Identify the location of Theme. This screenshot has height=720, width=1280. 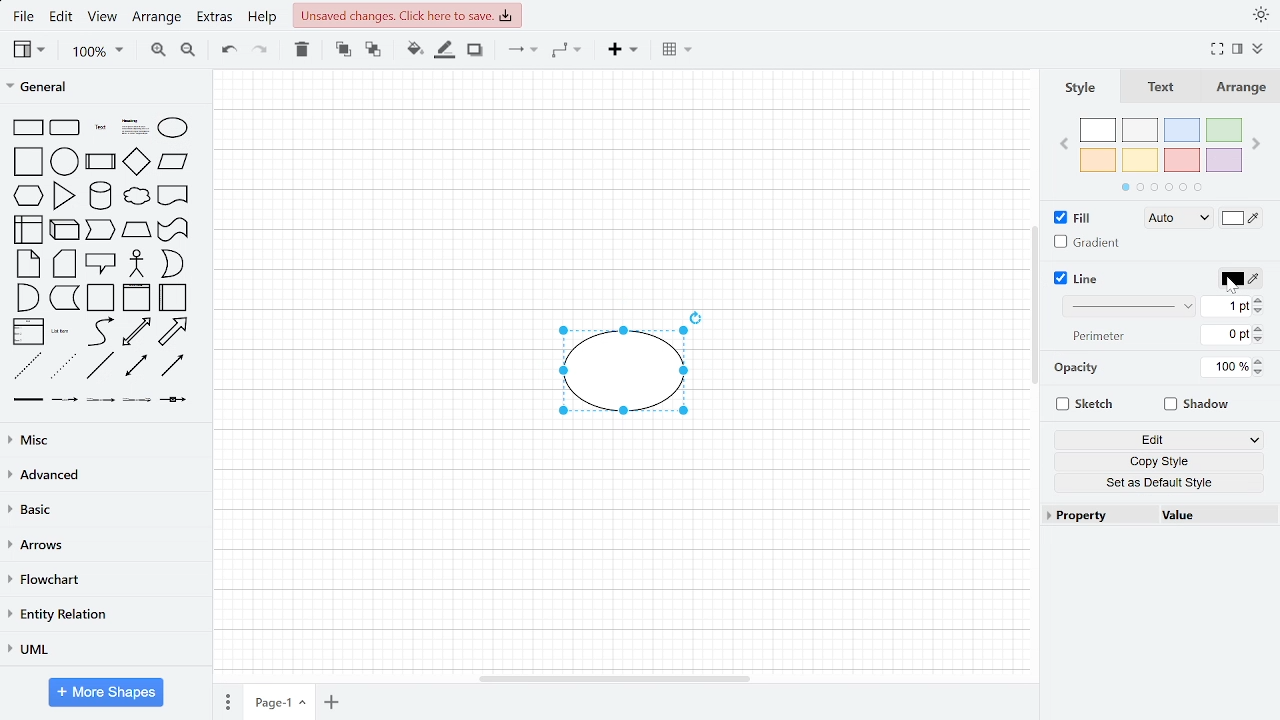
(1261, 16).